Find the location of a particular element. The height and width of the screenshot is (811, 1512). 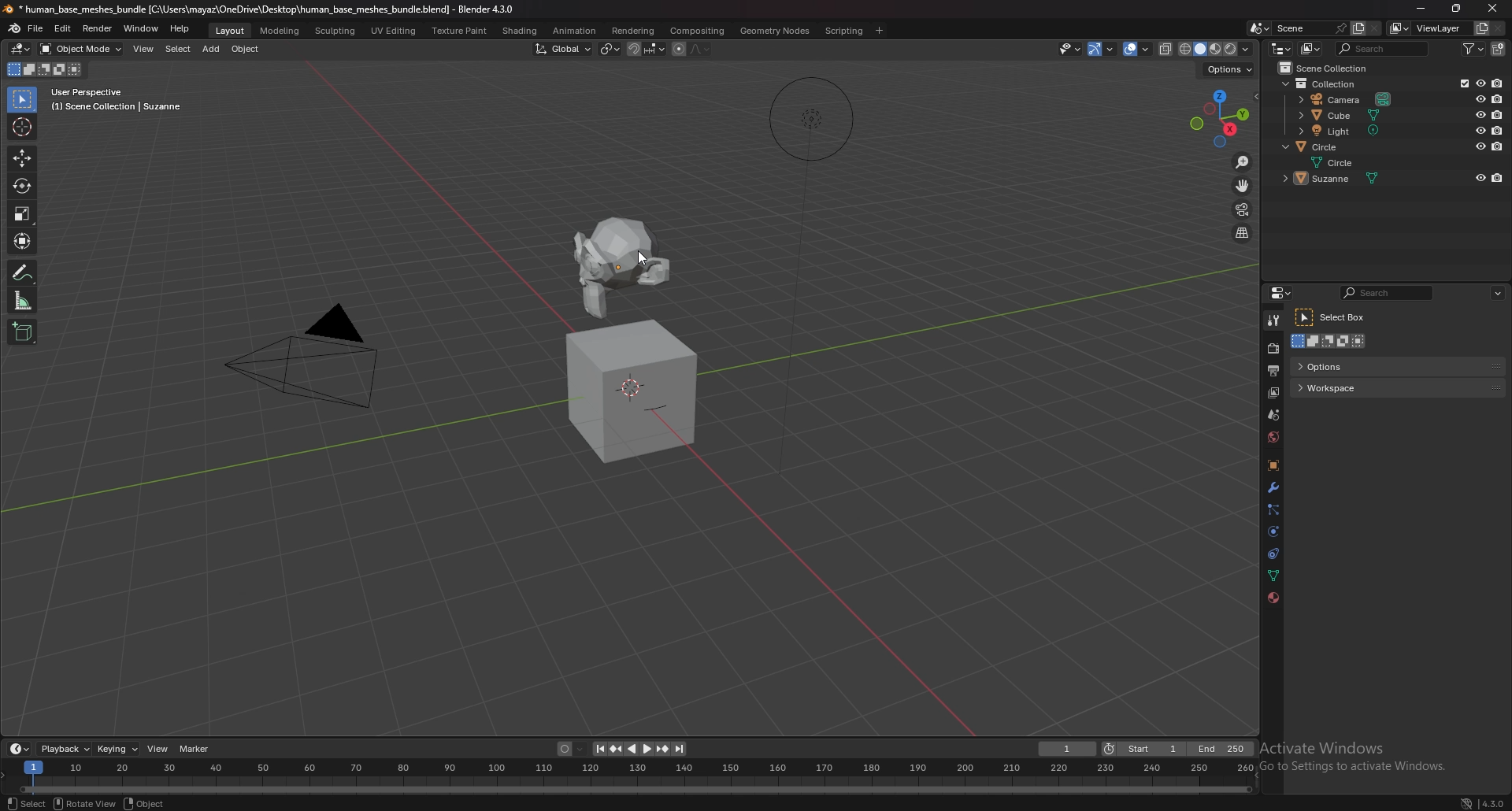

rendering is located at coordinates (634, 31).